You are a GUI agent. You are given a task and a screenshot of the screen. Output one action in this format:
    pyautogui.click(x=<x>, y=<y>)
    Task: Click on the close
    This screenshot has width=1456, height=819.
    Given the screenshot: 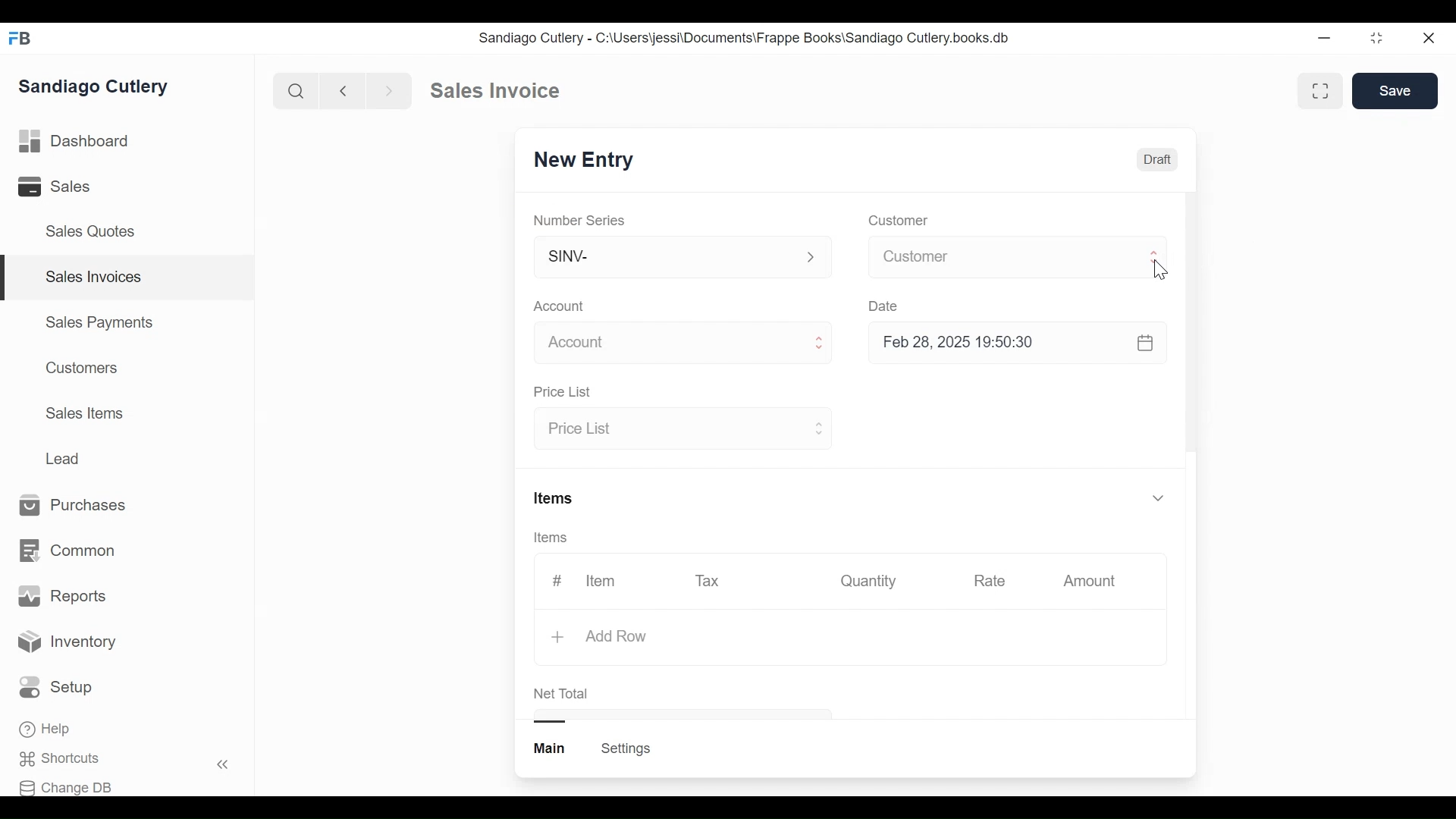 What is the action you would take?
    pyautogui.click(x=1430, y=39)
    